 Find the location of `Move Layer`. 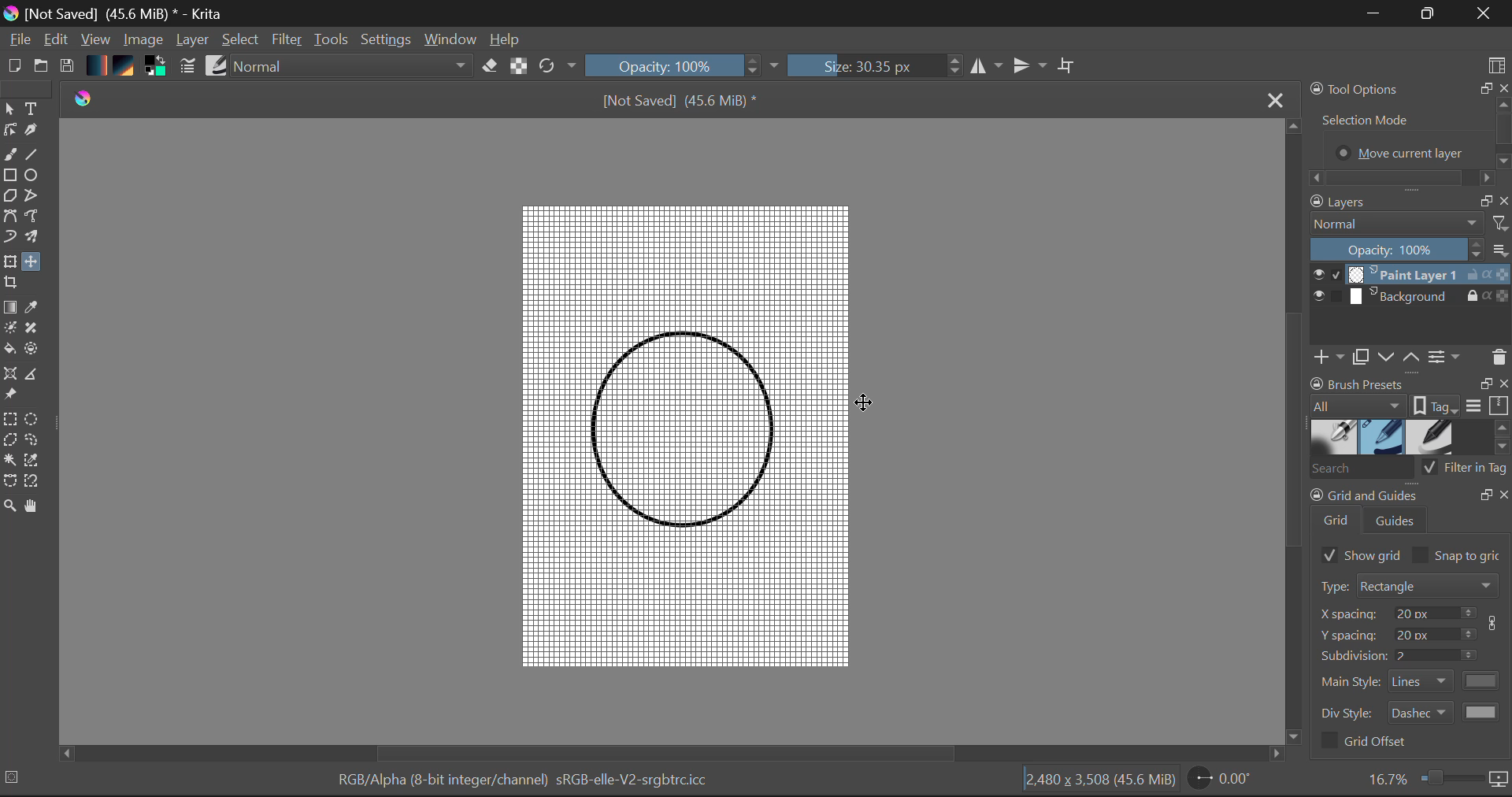

Move Layer is located at coordinates (34, 262).